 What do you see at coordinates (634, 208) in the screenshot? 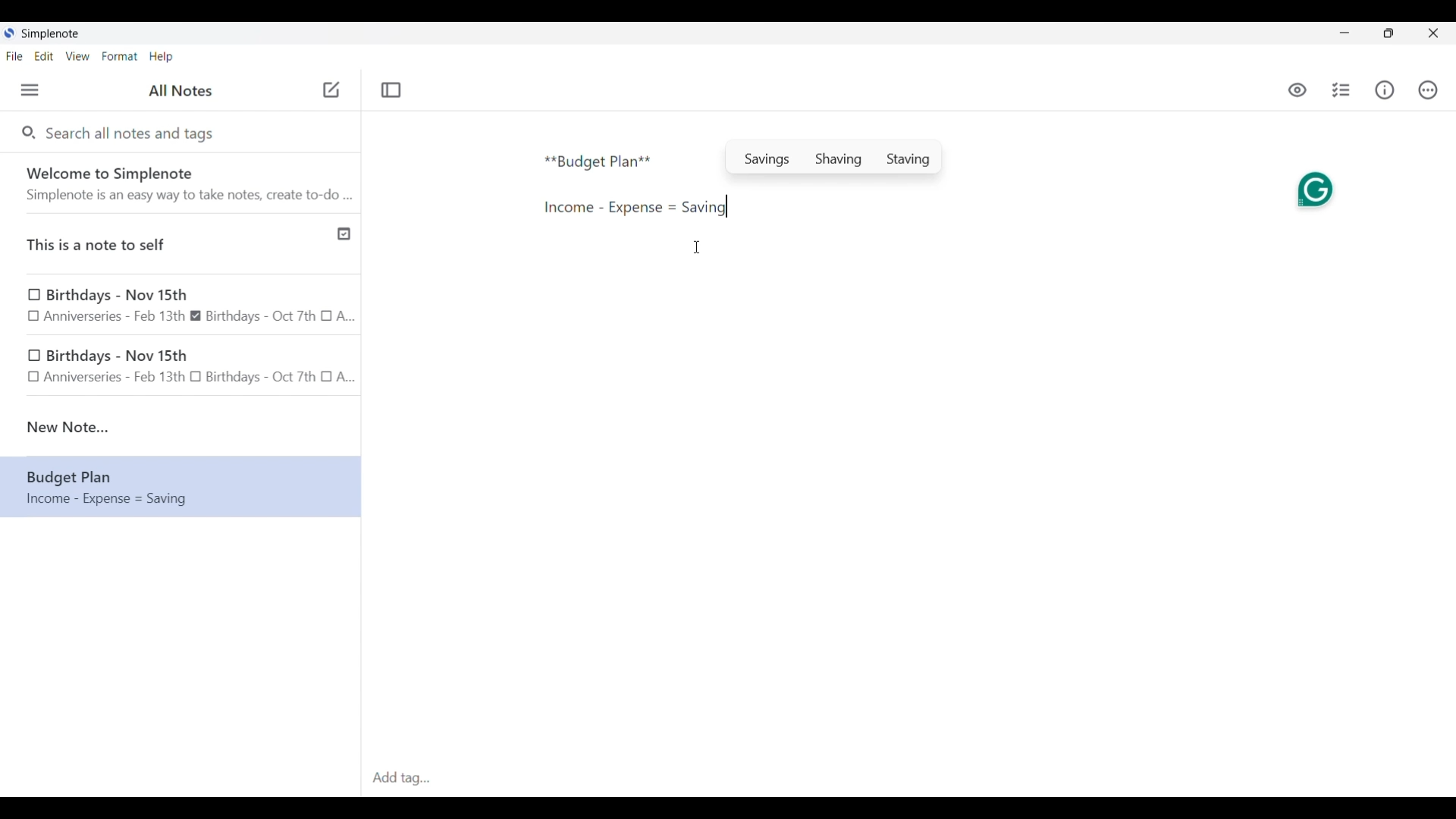
I see `More text typed in` at bounding box center [634, 208].